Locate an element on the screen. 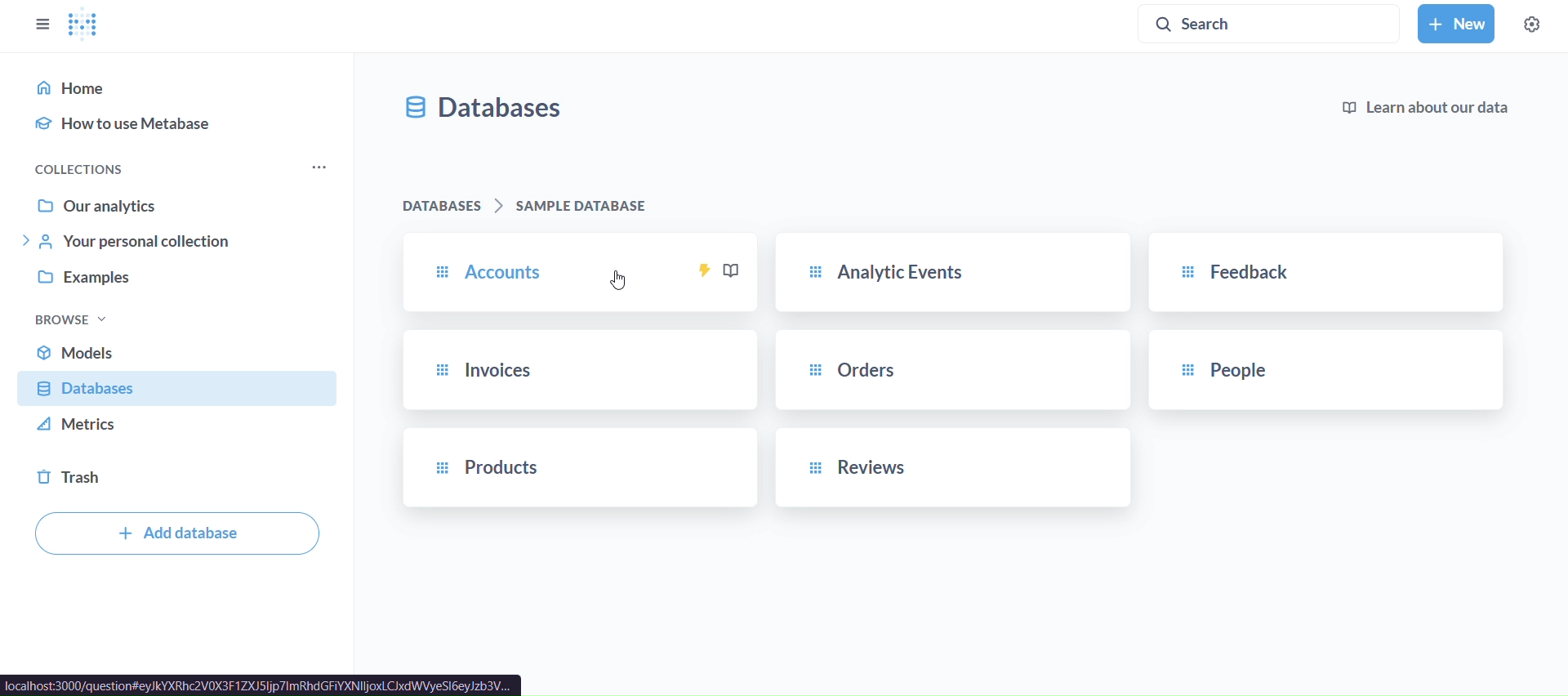 Image resolution: width=1568 pixels, height=696 pixels. how to use metabase is located at coordinates (179, 123).